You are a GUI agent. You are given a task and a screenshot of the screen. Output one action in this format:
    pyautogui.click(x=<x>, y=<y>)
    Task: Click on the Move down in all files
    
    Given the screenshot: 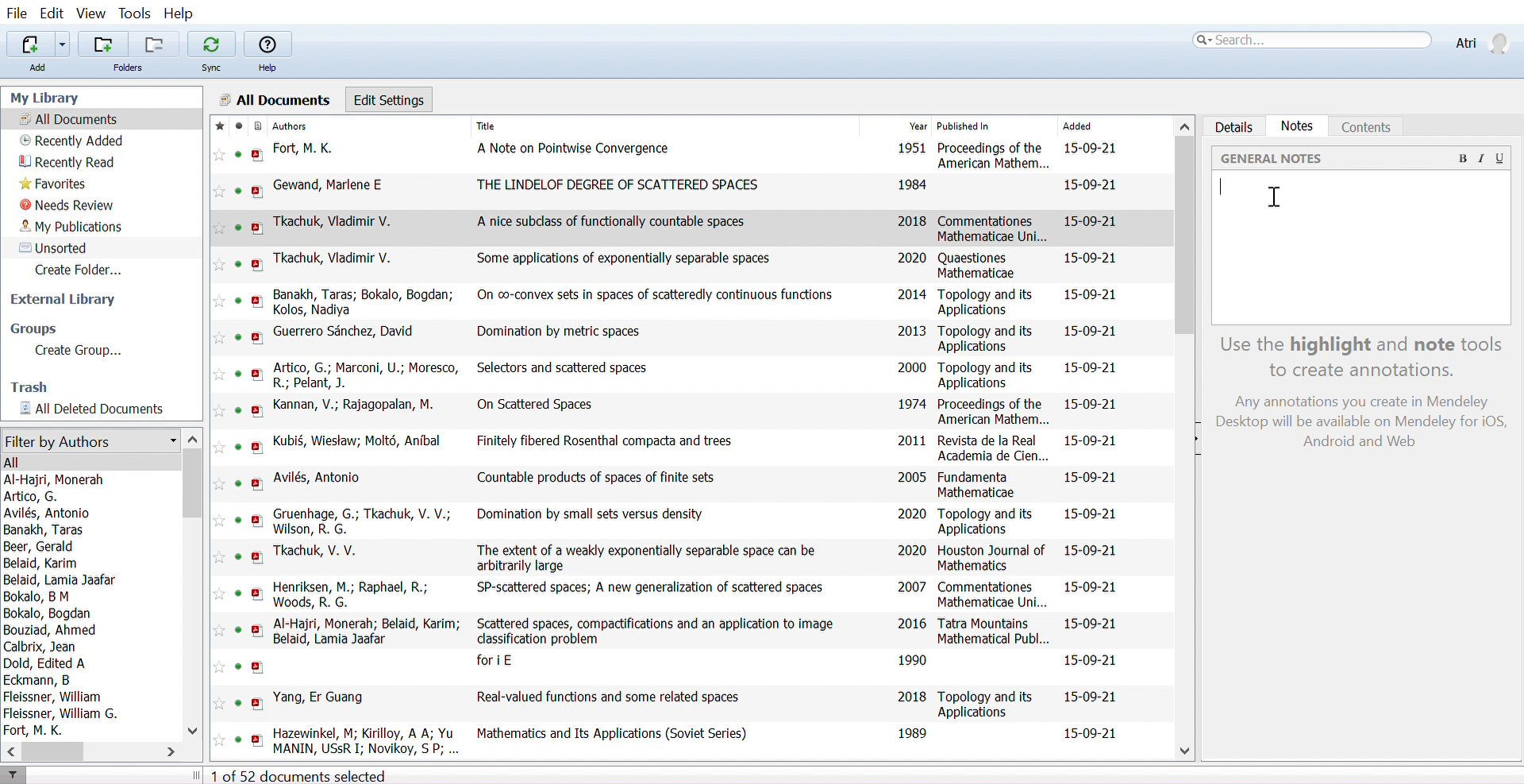 What is the action you would take?
    pyautogui.click(x=1186, y=752)
    